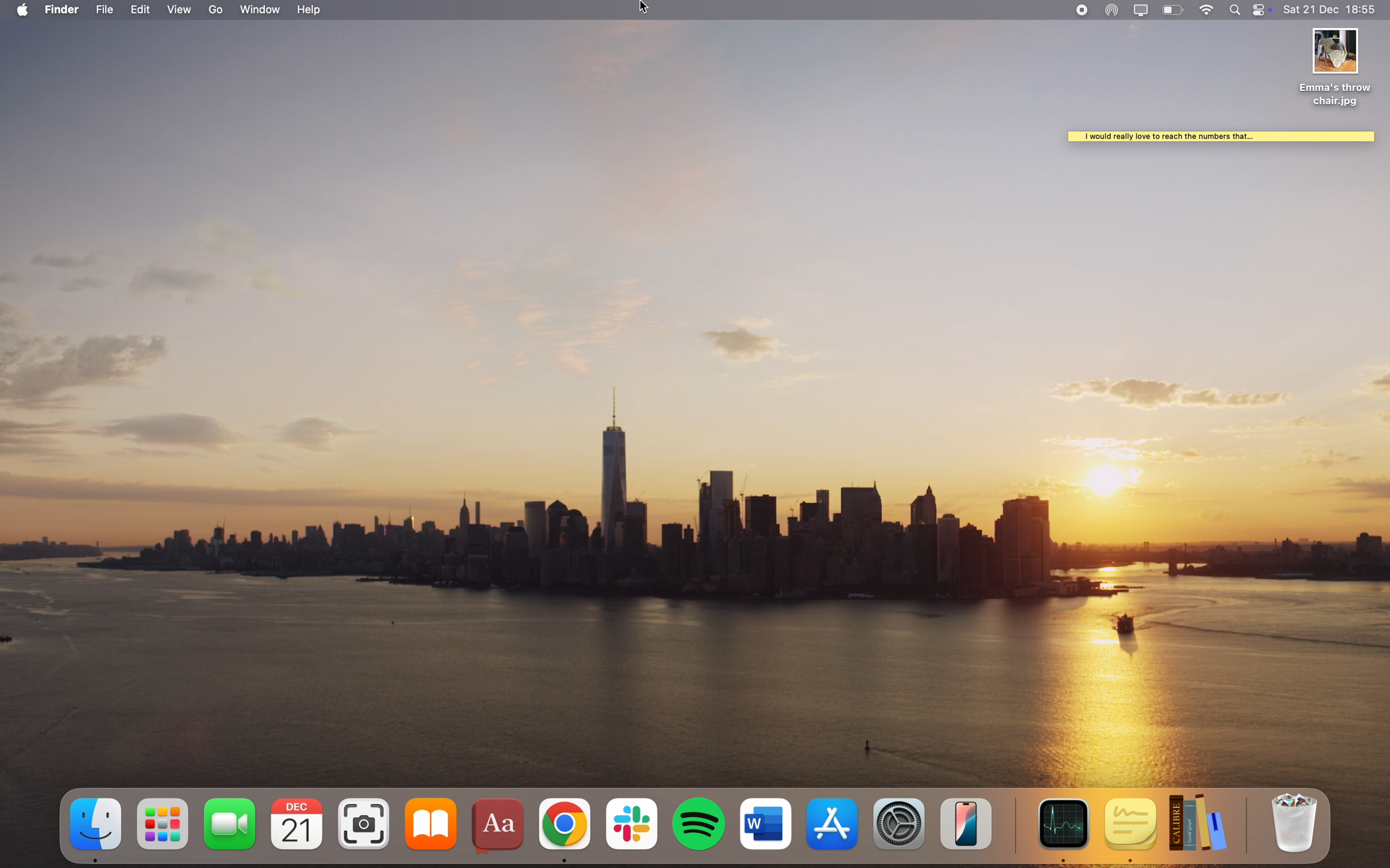  I want to click on dictionary, so click(497, 831).